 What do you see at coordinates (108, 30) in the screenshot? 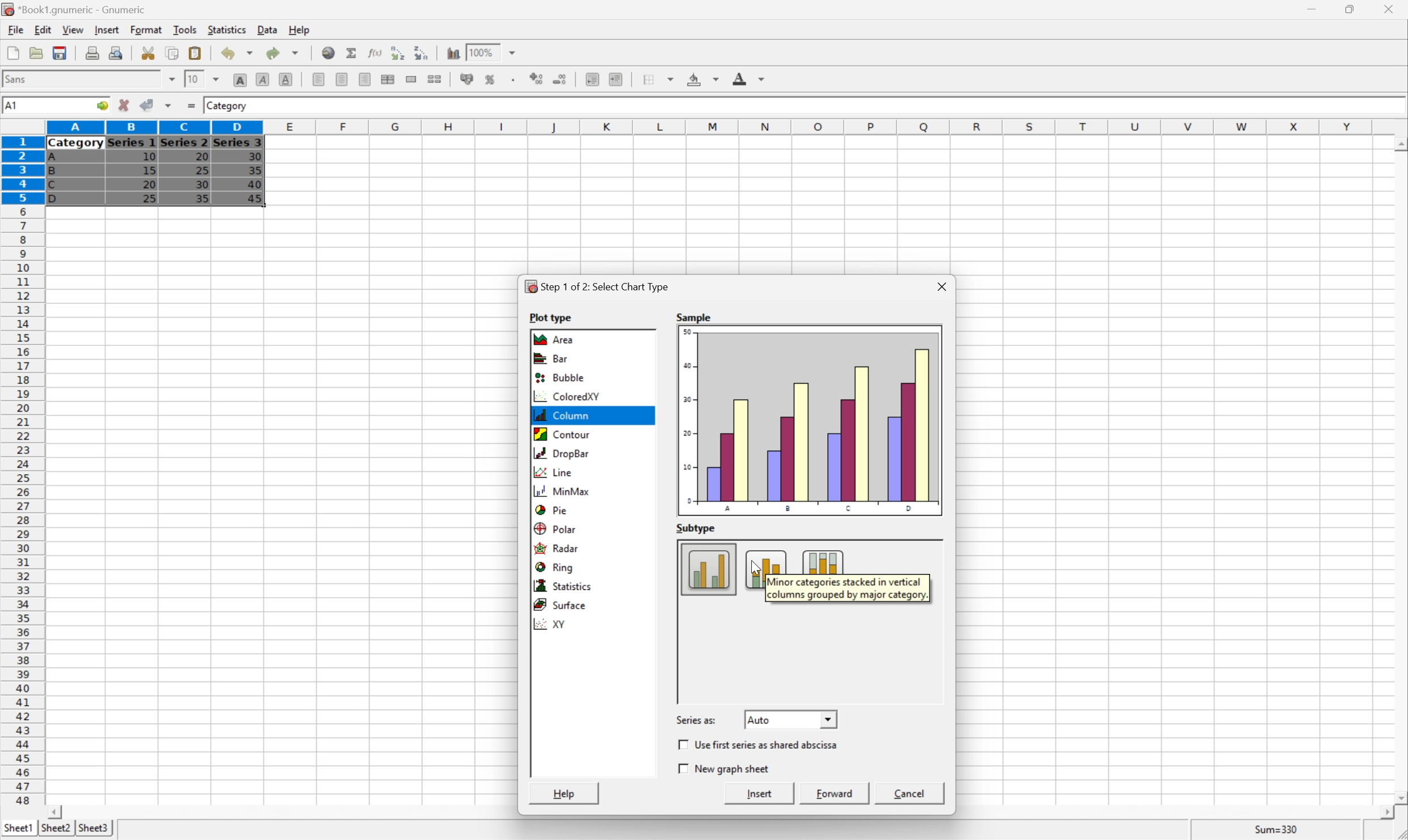
I see `Insert` at bounding box center [108, 30].